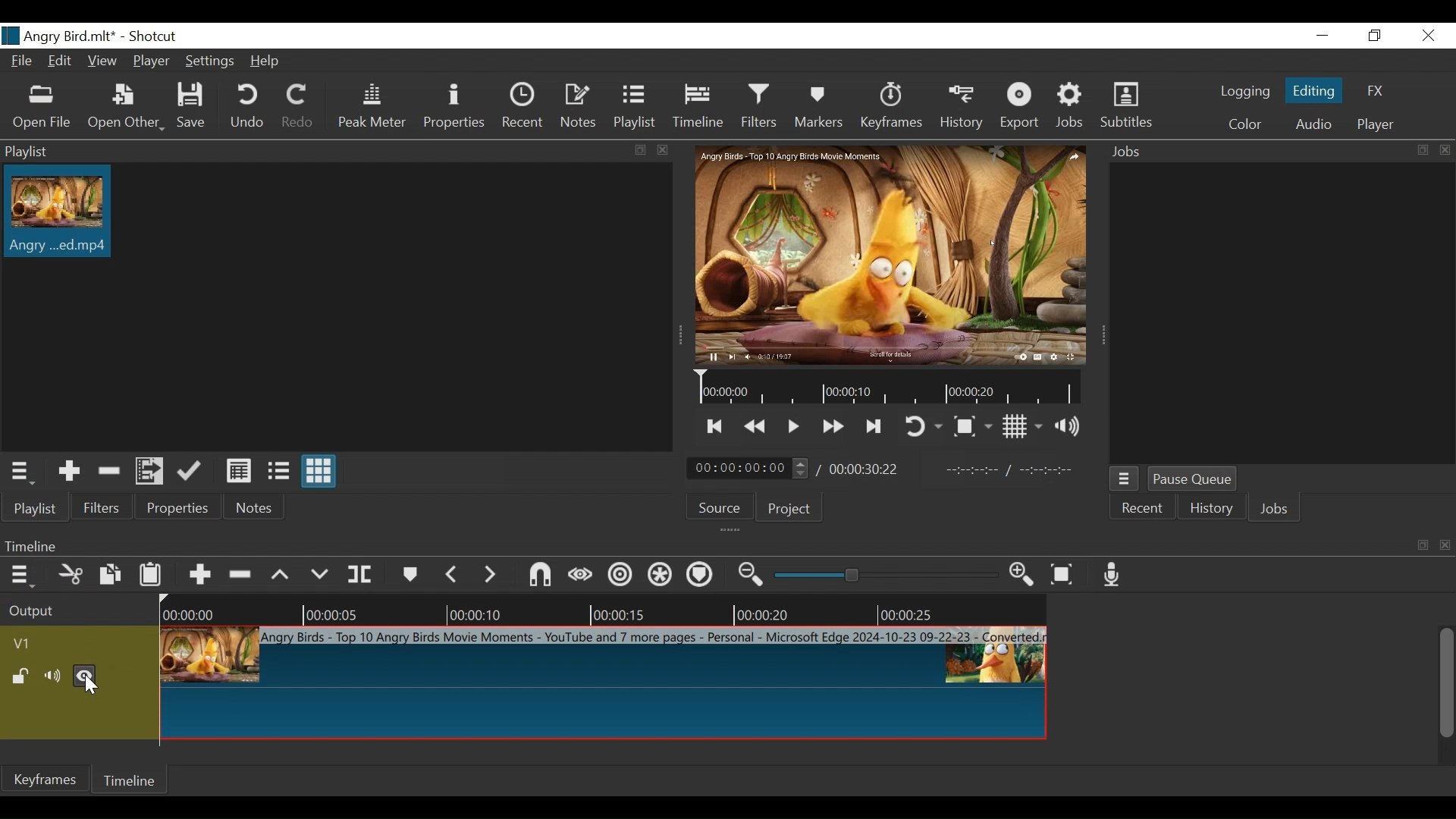  What do you see at coordinates (67, 472) in the screenshot?
I see `Add the Source to the playlist` at bounding box center [67, 472].